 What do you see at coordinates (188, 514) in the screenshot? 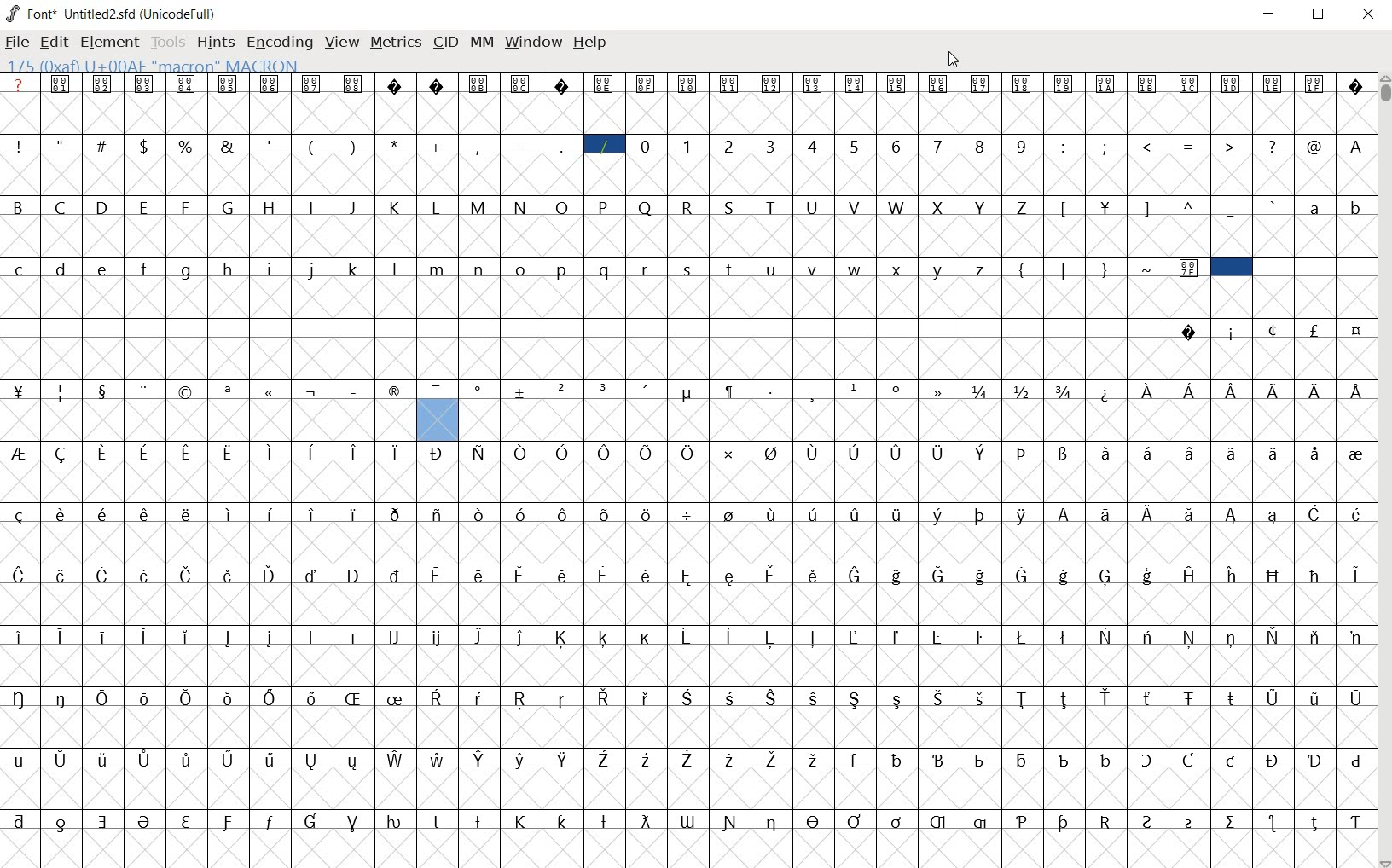
I see `Symbol` at bounding box center [188, 514].